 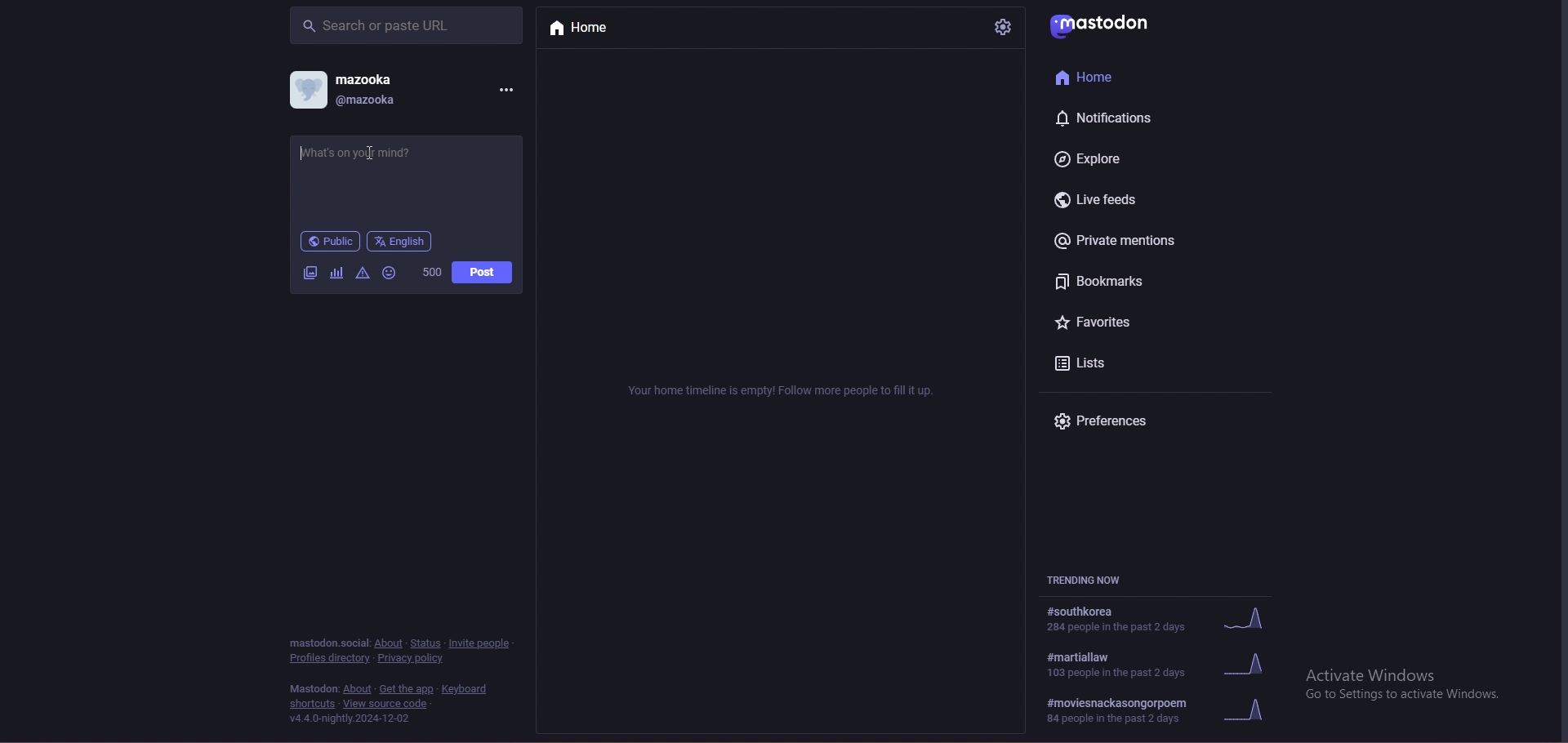 I want to click on emoji, so click(x=393, y=271).